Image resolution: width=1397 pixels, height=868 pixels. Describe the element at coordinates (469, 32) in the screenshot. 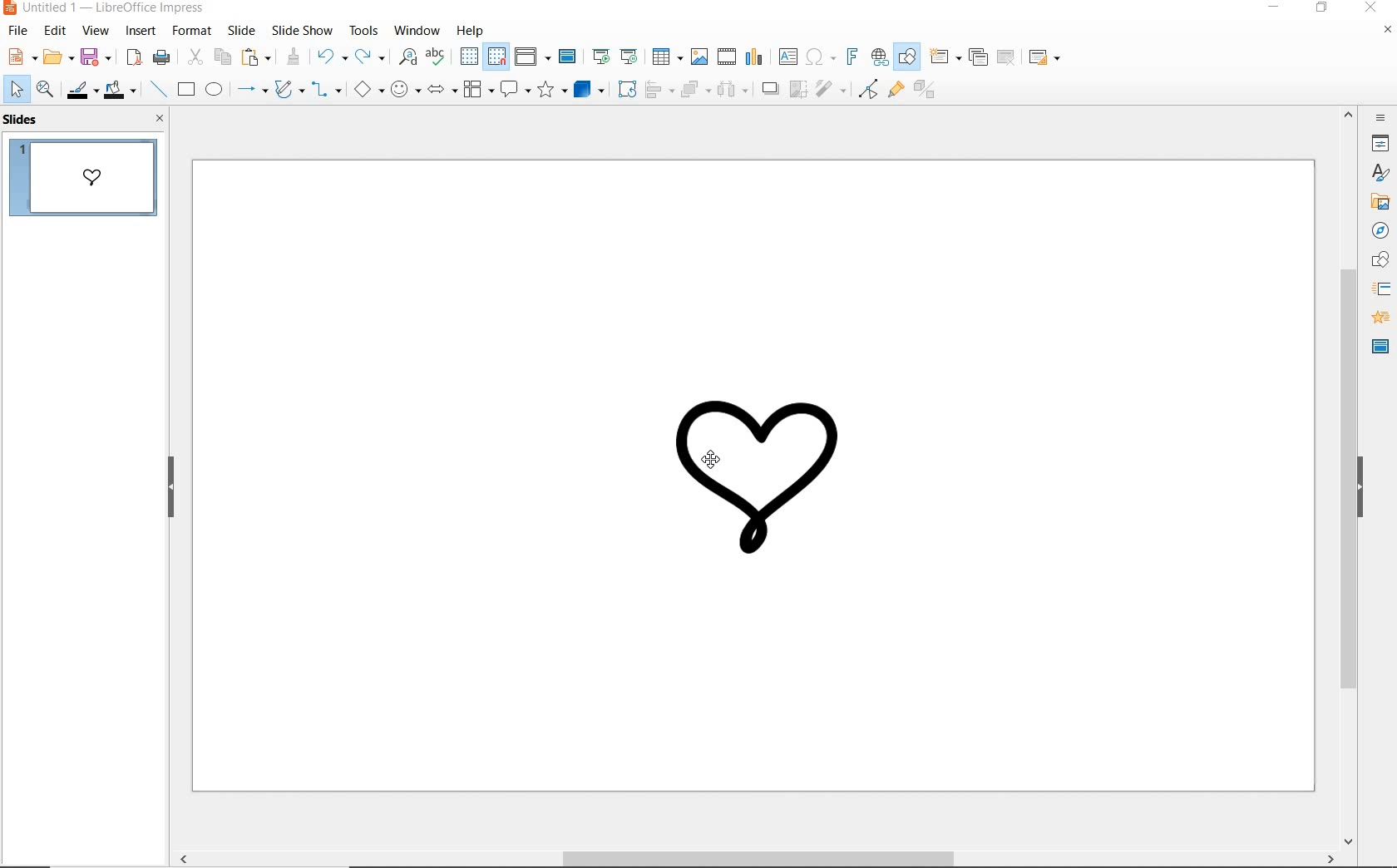

I see `help` at that location.